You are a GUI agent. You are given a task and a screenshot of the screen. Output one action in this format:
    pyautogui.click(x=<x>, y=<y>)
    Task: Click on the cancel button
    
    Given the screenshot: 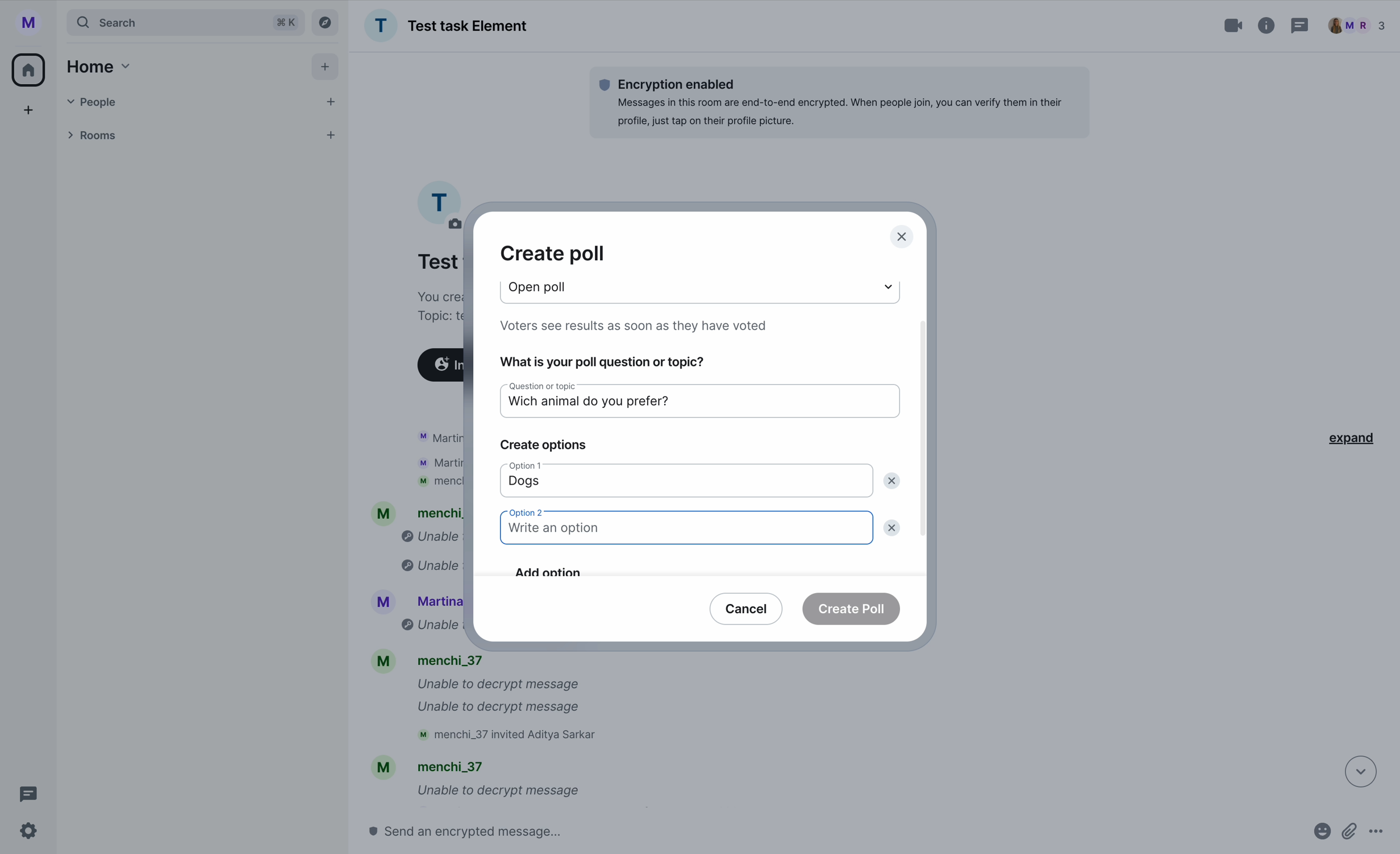 What is the action you would take?
    pyautogui.click(x=747, y=607)
    